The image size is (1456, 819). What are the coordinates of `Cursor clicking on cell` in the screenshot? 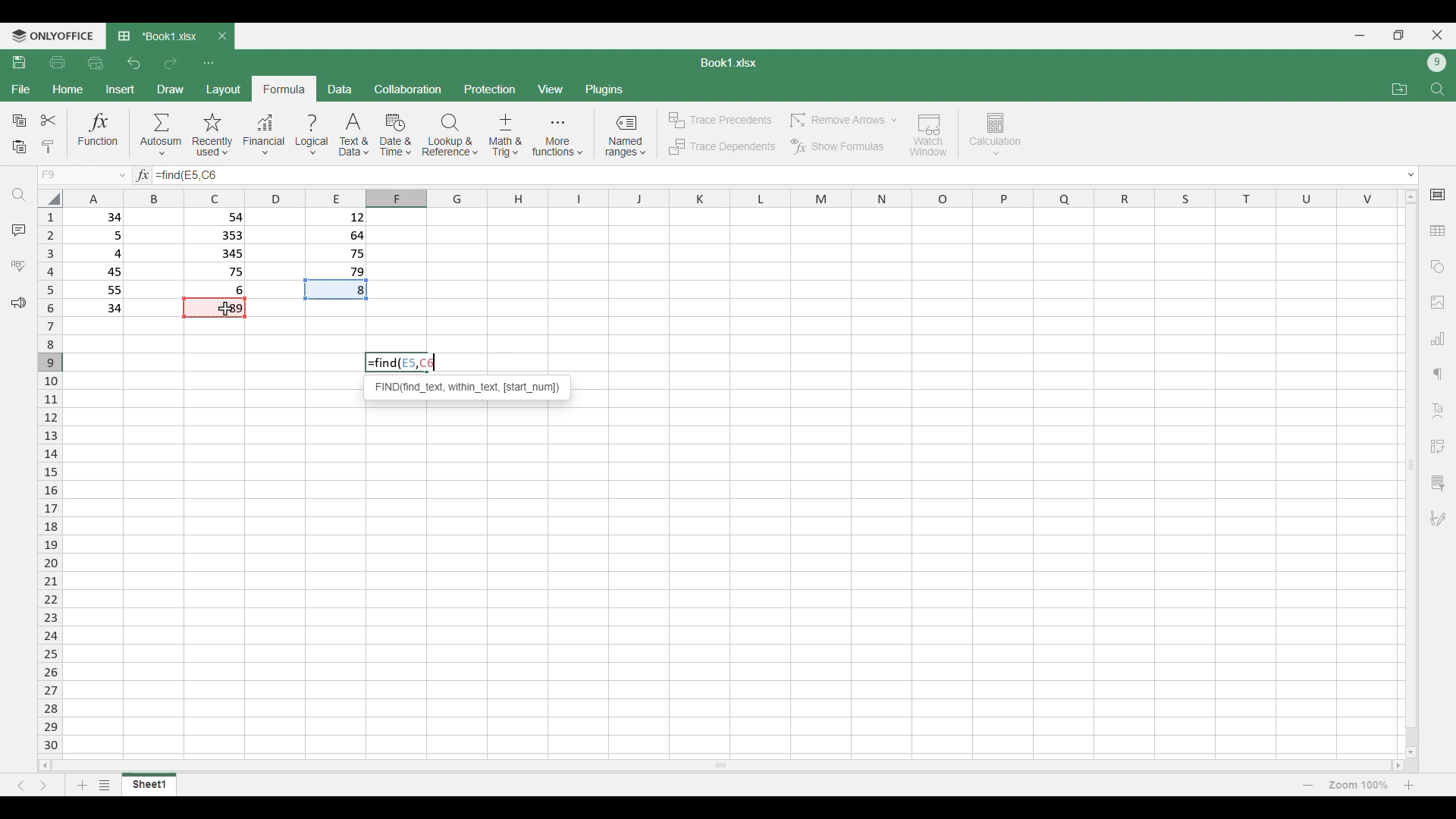 It's located at (225, 309).